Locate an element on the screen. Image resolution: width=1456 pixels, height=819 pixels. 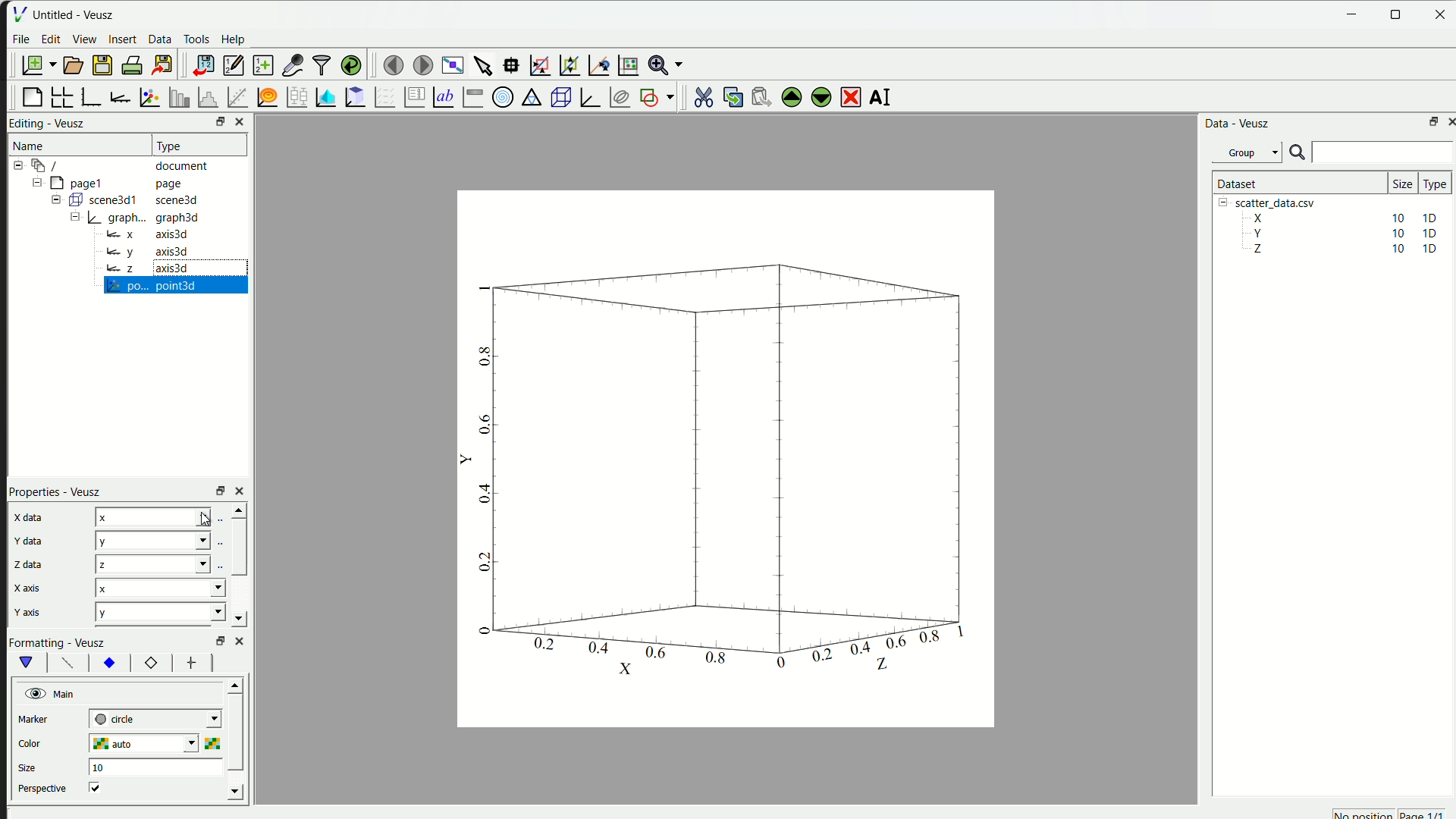
| File is located at coordinates (18, 12).